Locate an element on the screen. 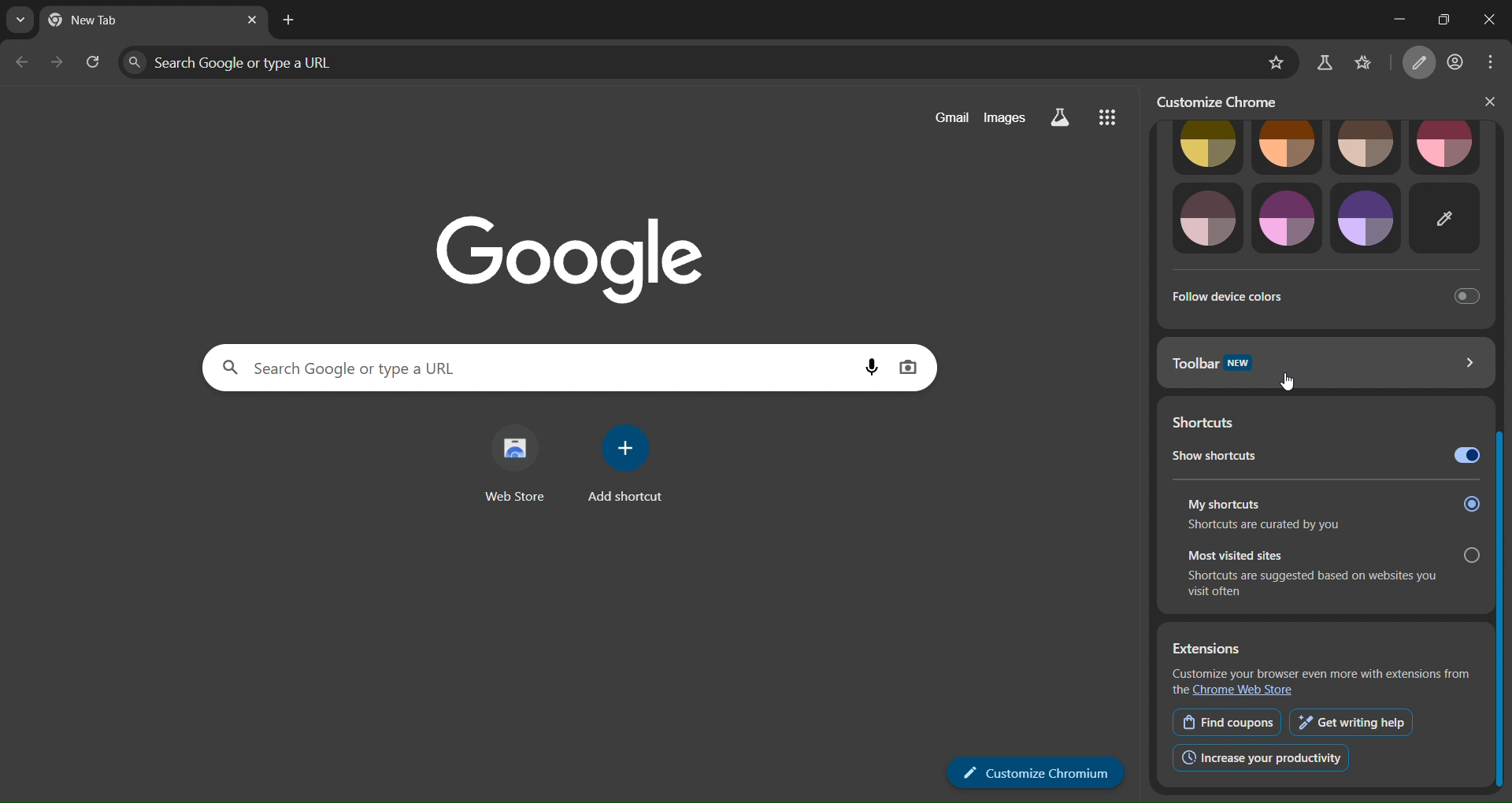  minimize is located at coordinates (1383, 19).